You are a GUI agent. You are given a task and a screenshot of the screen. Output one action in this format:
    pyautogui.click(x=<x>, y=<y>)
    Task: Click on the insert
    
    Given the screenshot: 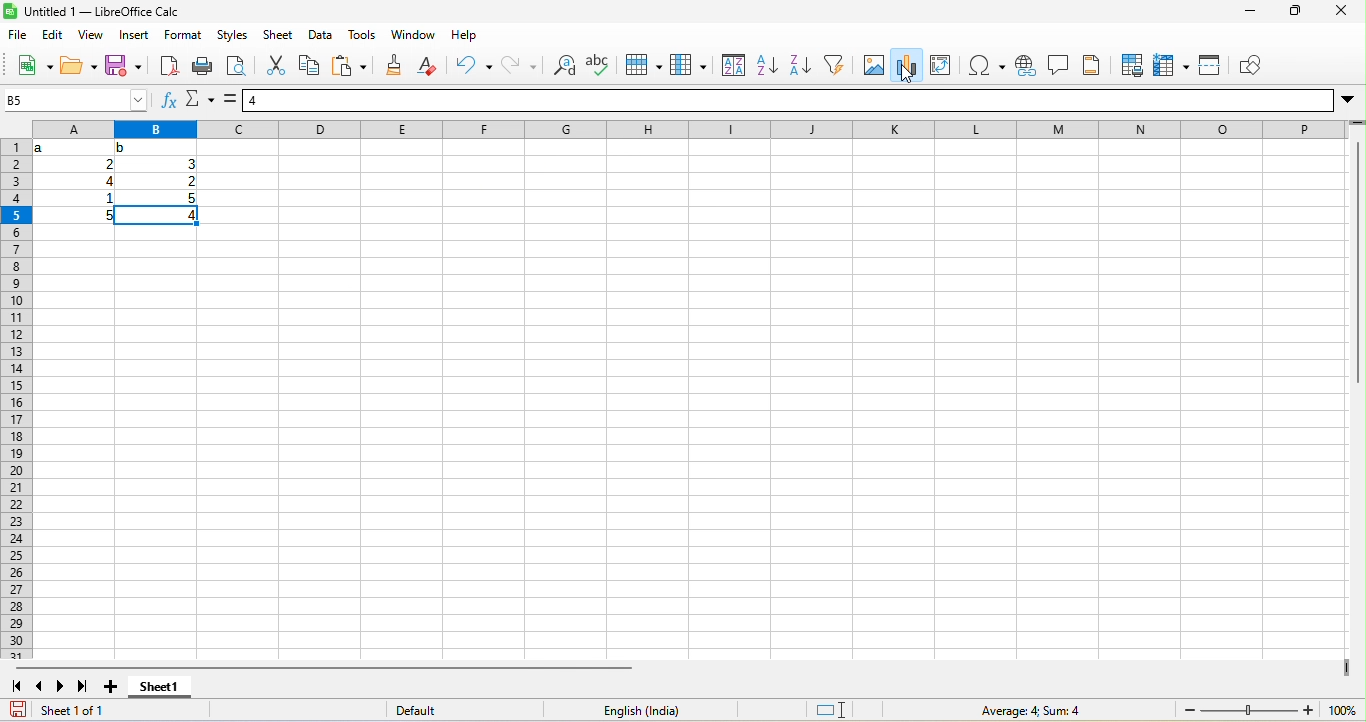 What is the action you would take?
    pyautogui.click(x=134, y=35)
    